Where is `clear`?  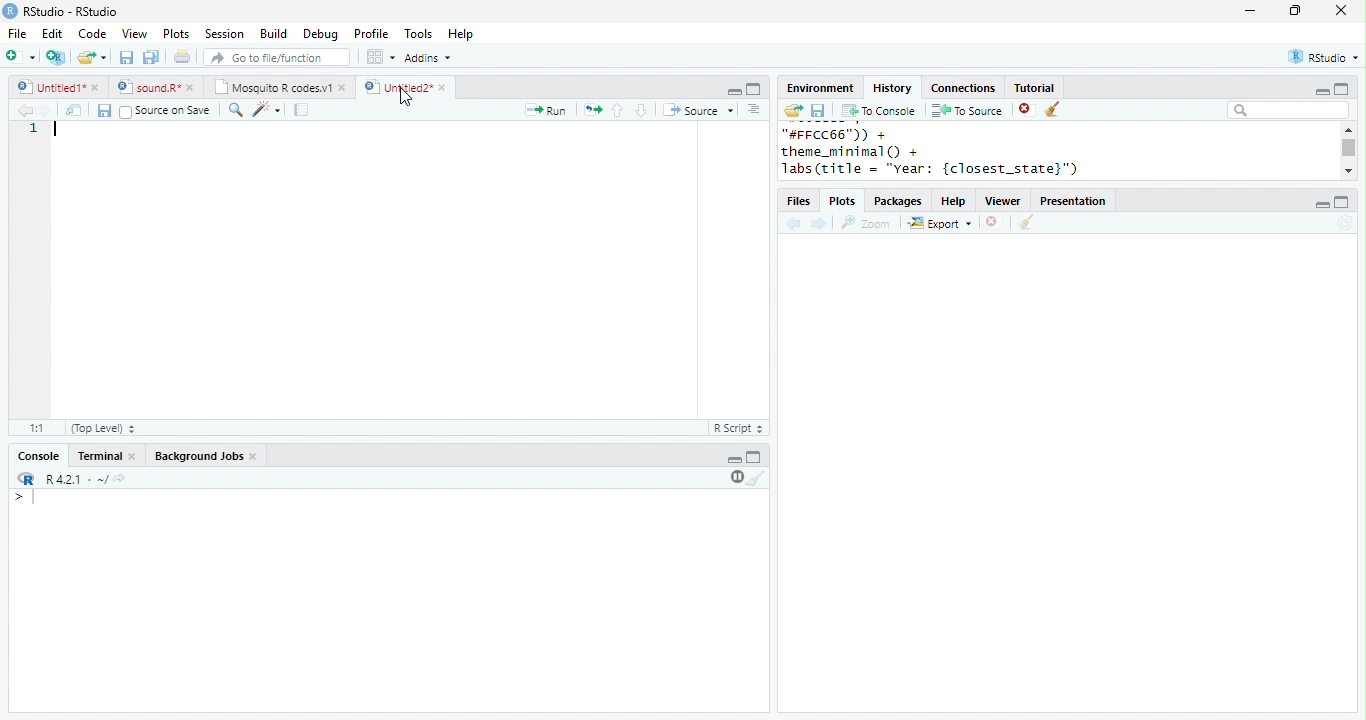 clear is located at coordinates (1027, 222).